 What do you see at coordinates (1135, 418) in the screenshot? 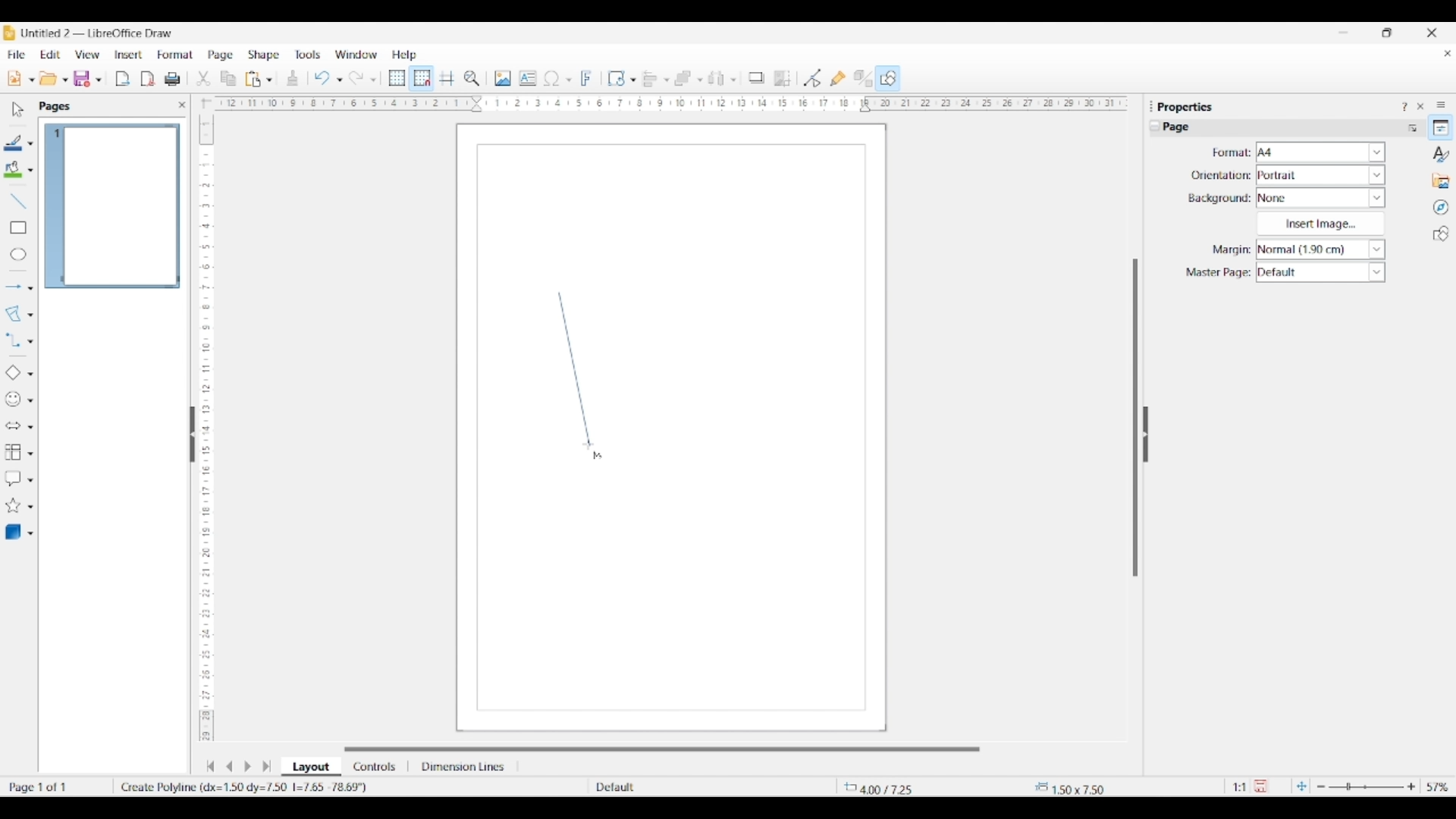
I see `Vertical slide bar` at bounding box center [1135, 418].